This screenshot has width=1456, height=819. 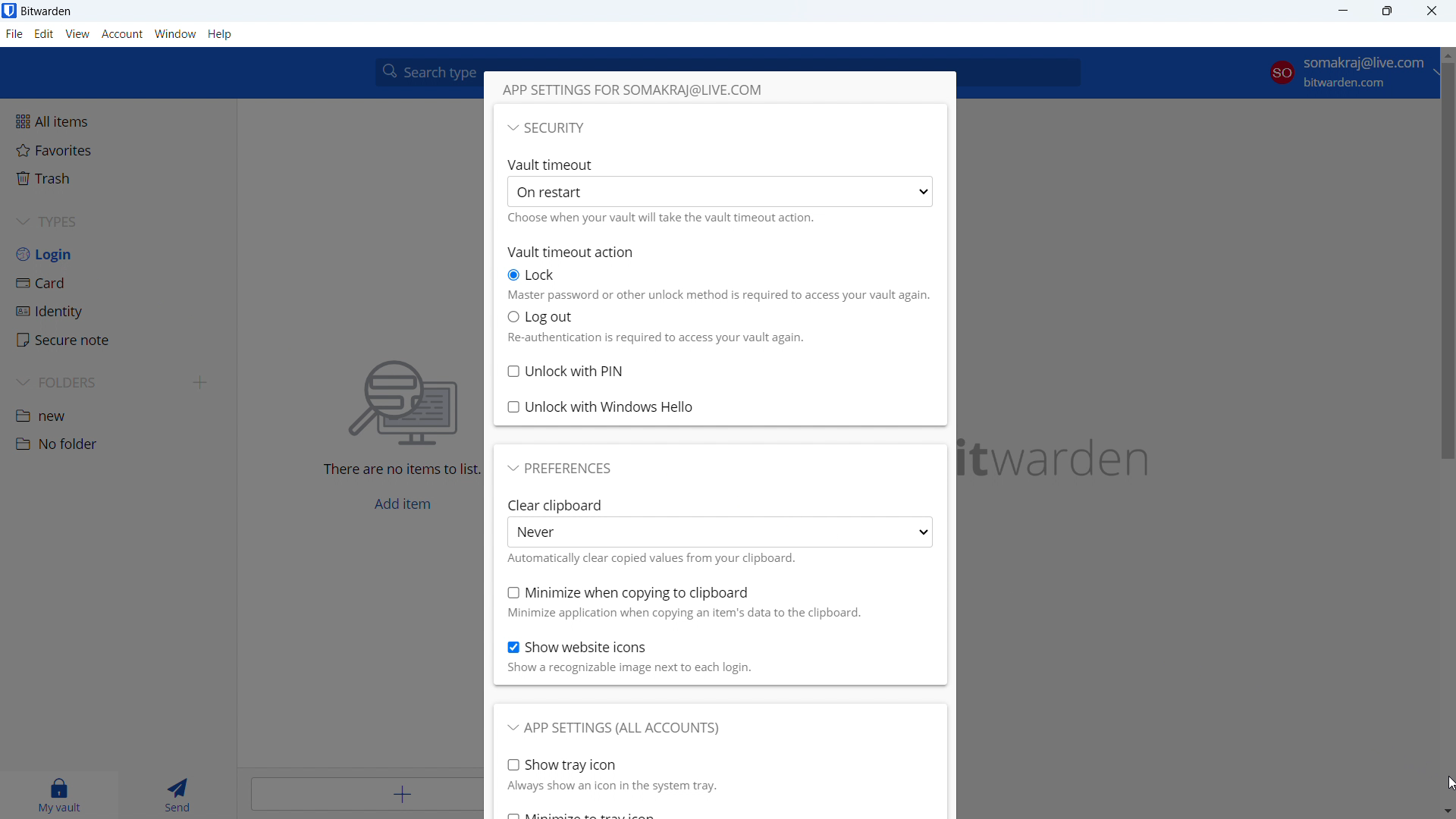 I want to click on Vault timeout, so click(x=552, y=165).